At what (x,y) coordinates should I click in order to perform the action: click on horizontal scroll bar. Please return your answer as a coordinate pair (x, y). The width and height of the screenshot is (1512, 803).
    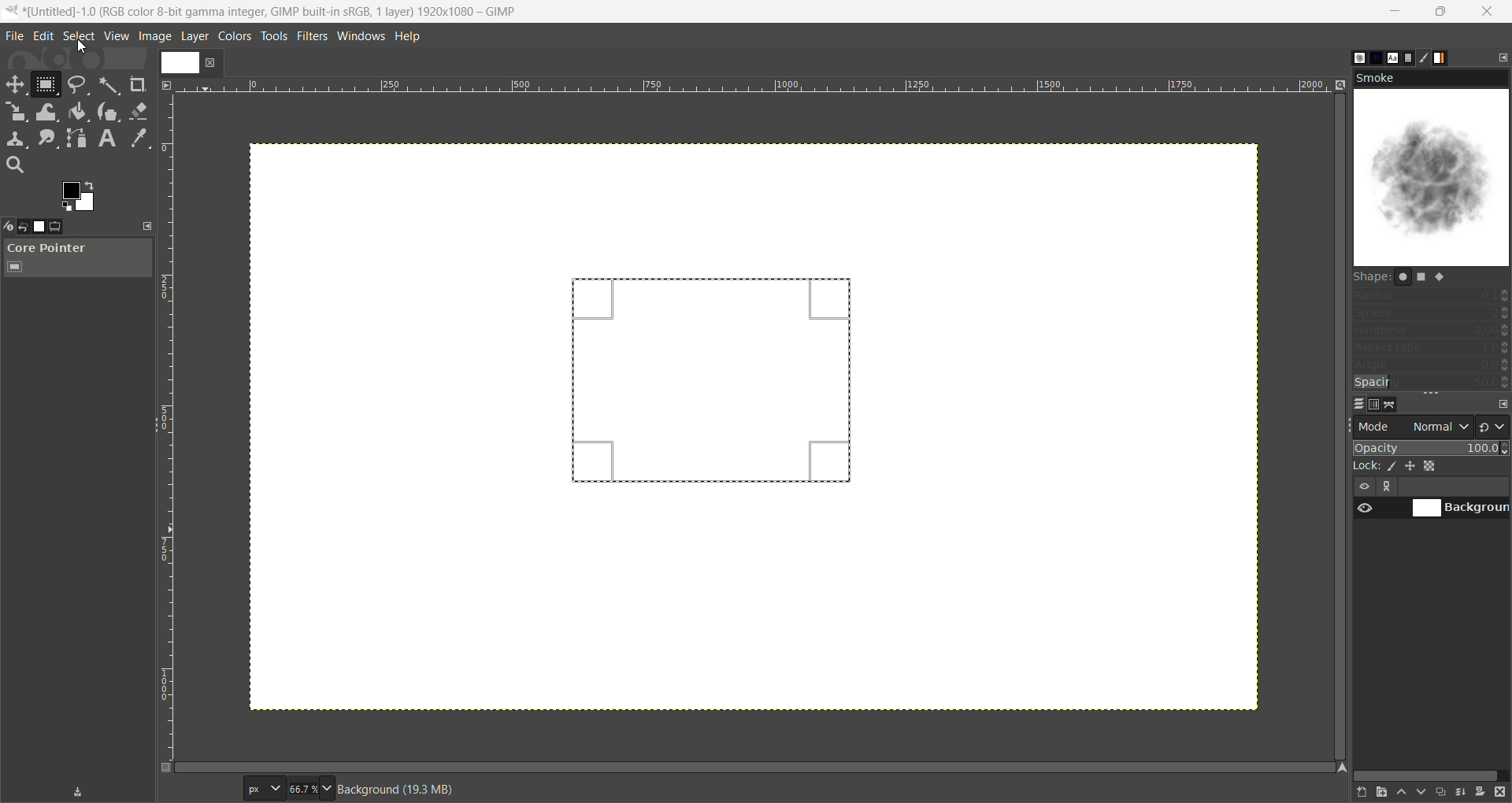
    Looking at the image, I should click on (1432, 778).